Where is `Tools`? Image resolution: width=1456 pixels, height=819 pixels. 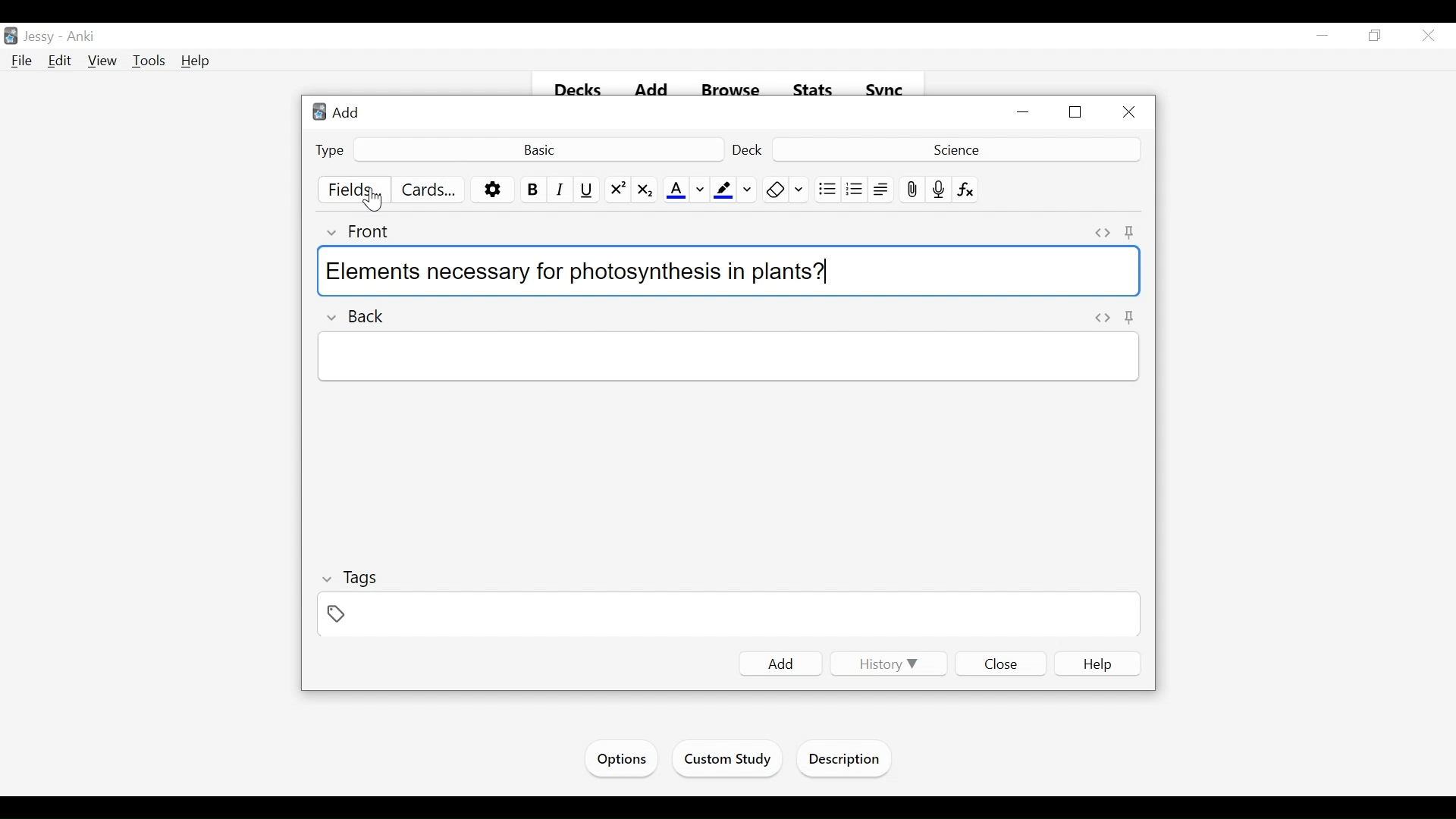
Tools is located at coordinates (149, 61).